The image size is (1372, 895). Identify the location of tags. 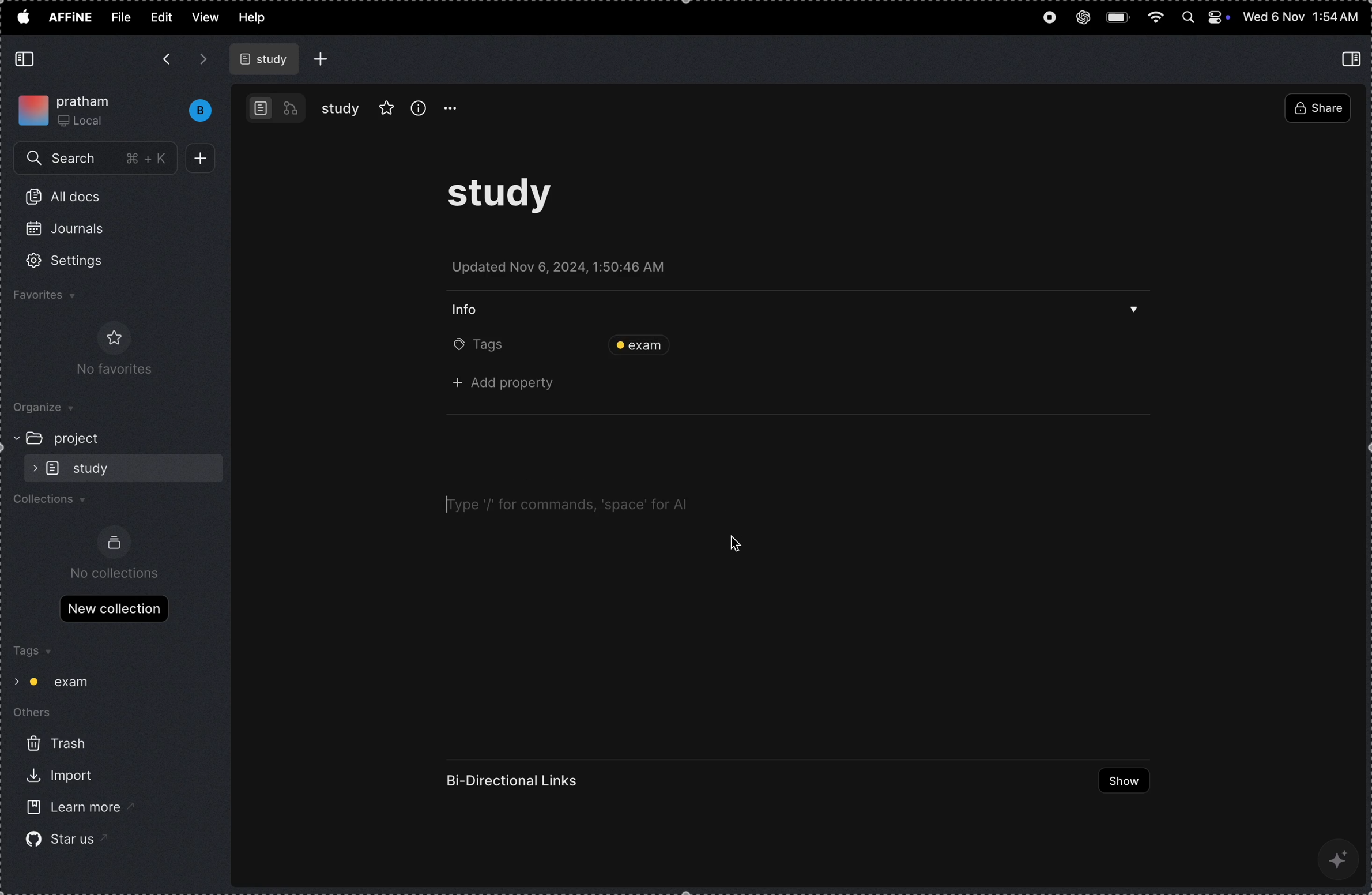
(480, 347).